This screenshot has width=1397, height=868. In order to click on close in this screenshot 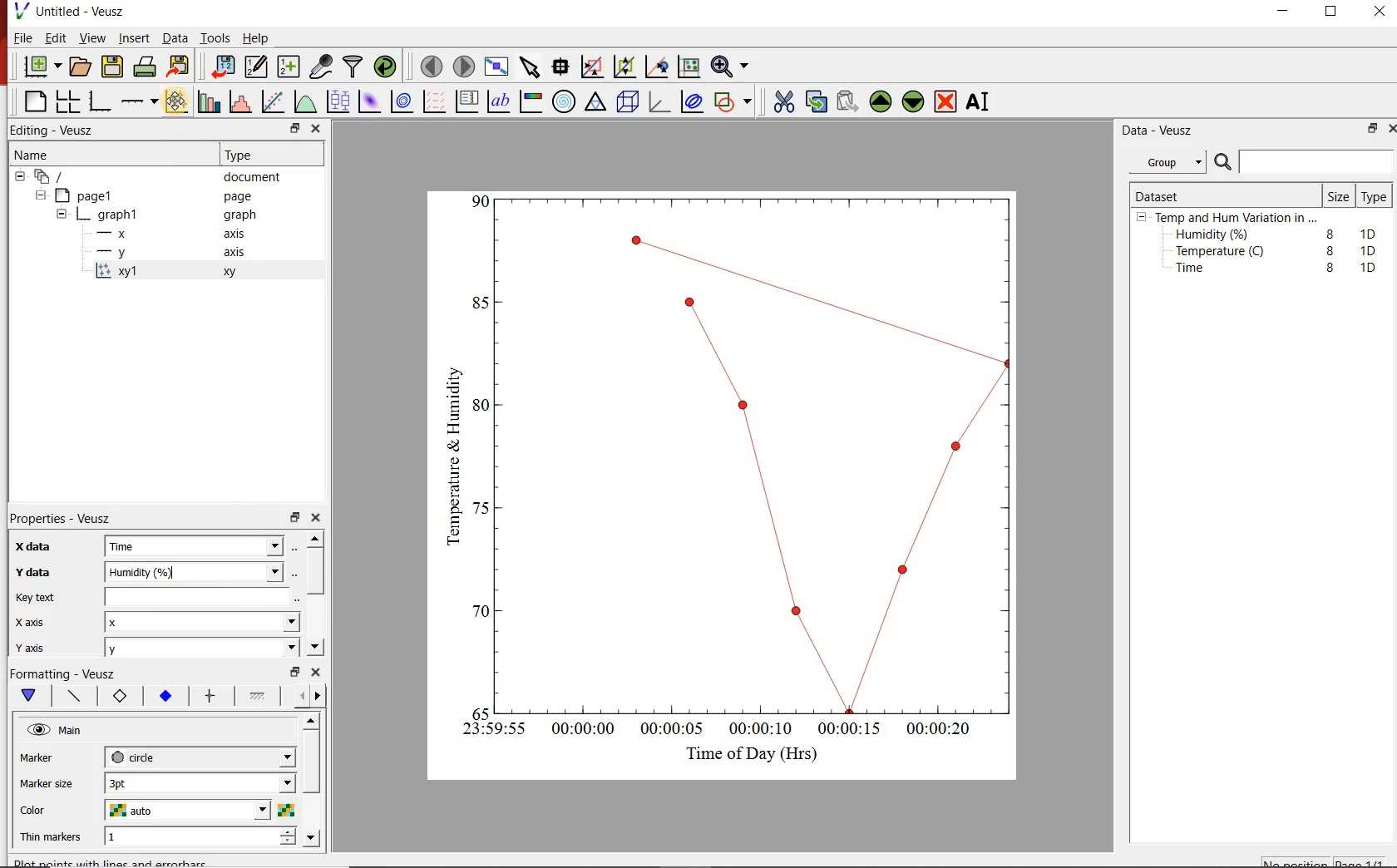, I will do `click(317, 128)`.